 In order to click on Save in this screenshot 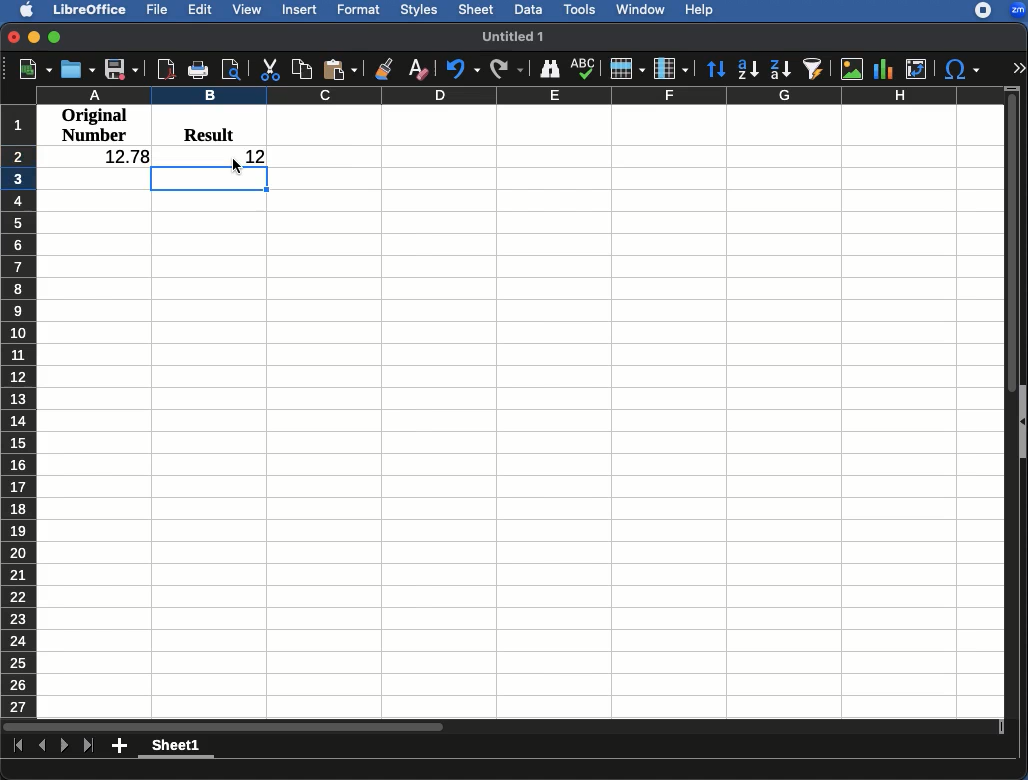, I will do `click(122, 70)`.